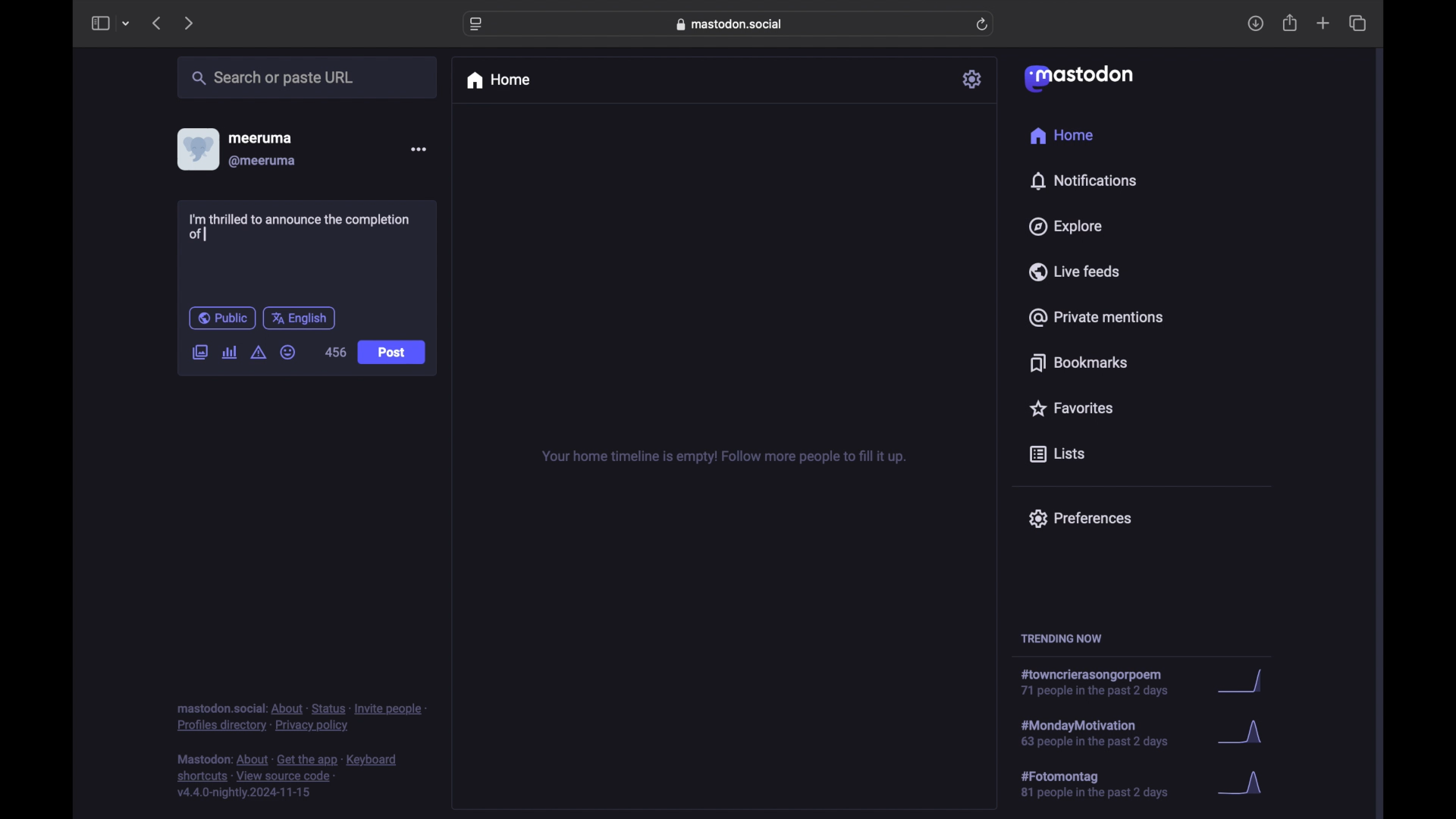 Image resolution: width=1456 pixels, height=819 pixels. I want to click on post, so click(393, 353).